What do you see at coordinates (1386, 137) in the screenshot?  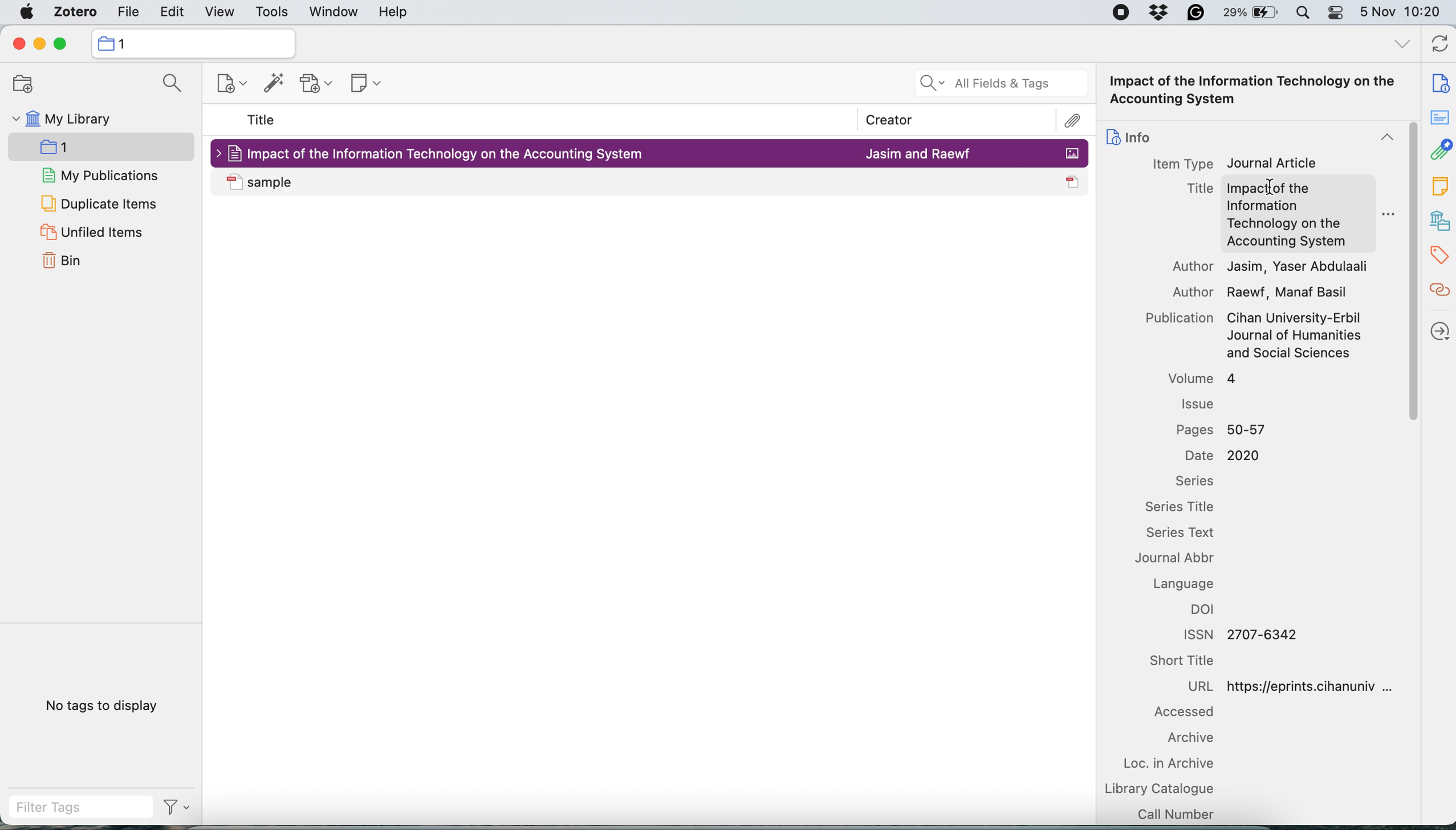 I see `collapse` at bounding box center [1386, 137].